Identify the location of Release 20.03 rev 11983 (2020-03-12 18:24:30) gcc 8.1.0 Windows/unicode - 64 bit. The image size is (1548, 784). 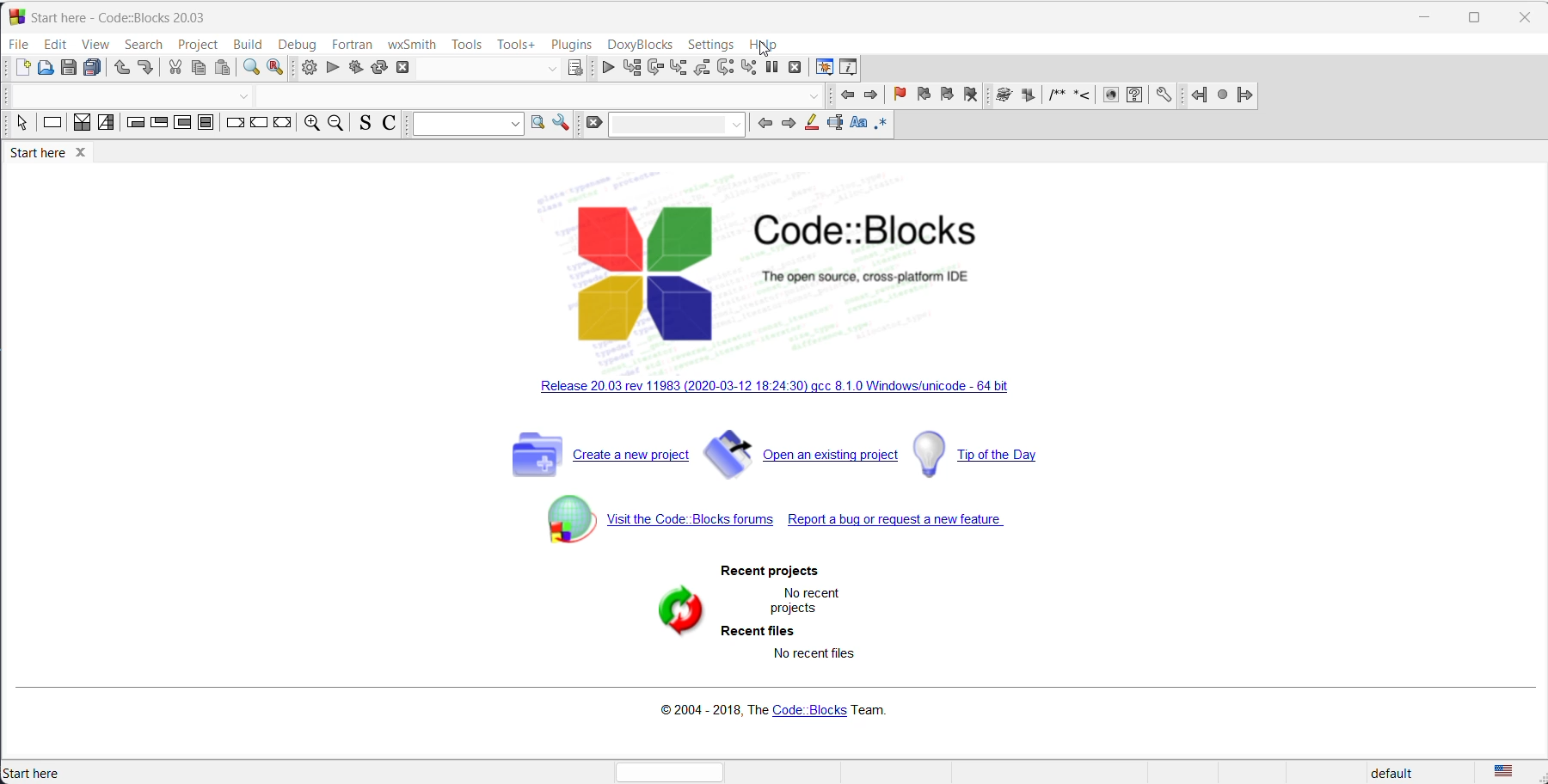
(775, 389).